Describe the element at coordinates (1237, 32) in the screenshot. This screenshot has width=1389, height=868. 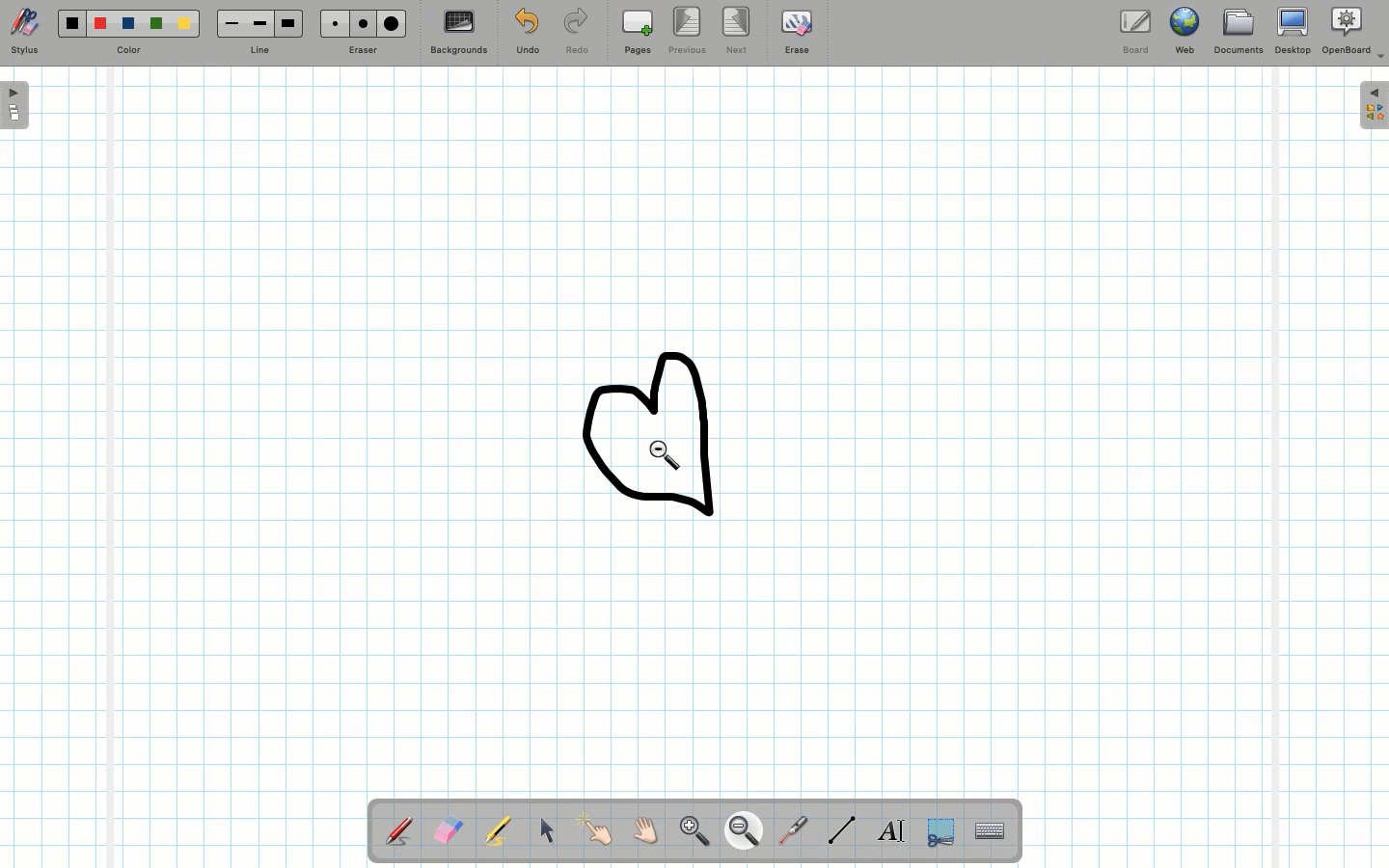
I see `Documents` at that location.